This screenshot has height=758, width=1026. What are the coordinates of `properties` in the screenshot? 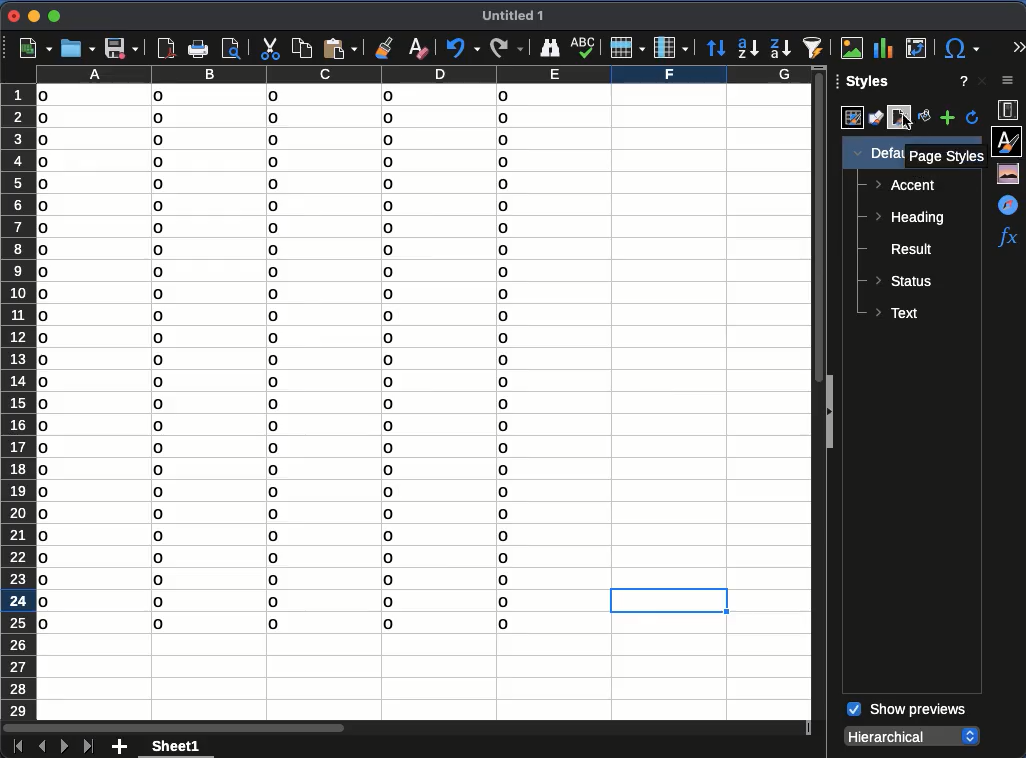 It's located at (1009, 110).